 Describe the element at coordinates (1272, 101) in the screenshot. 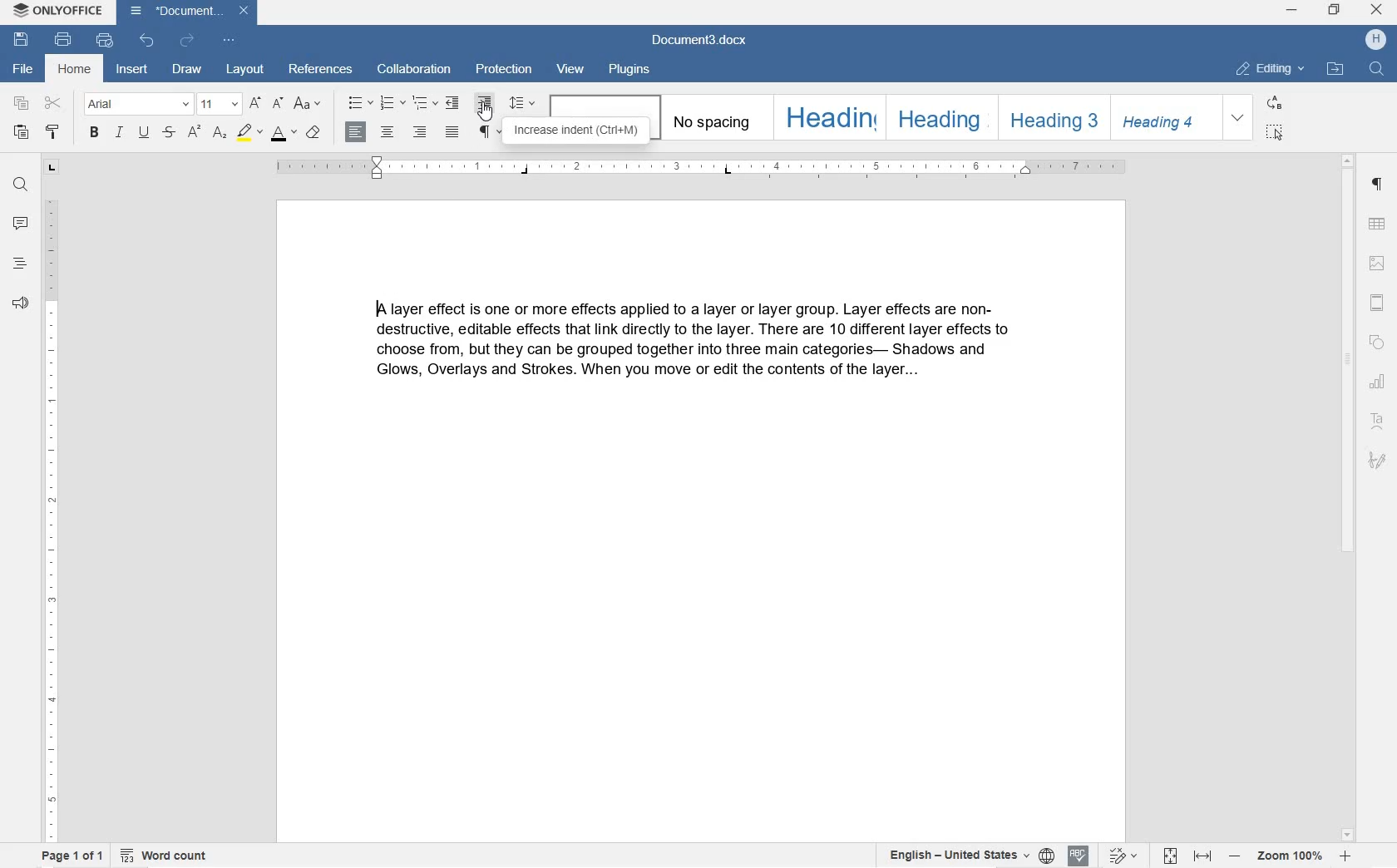

I see `REPLACE` at that location.